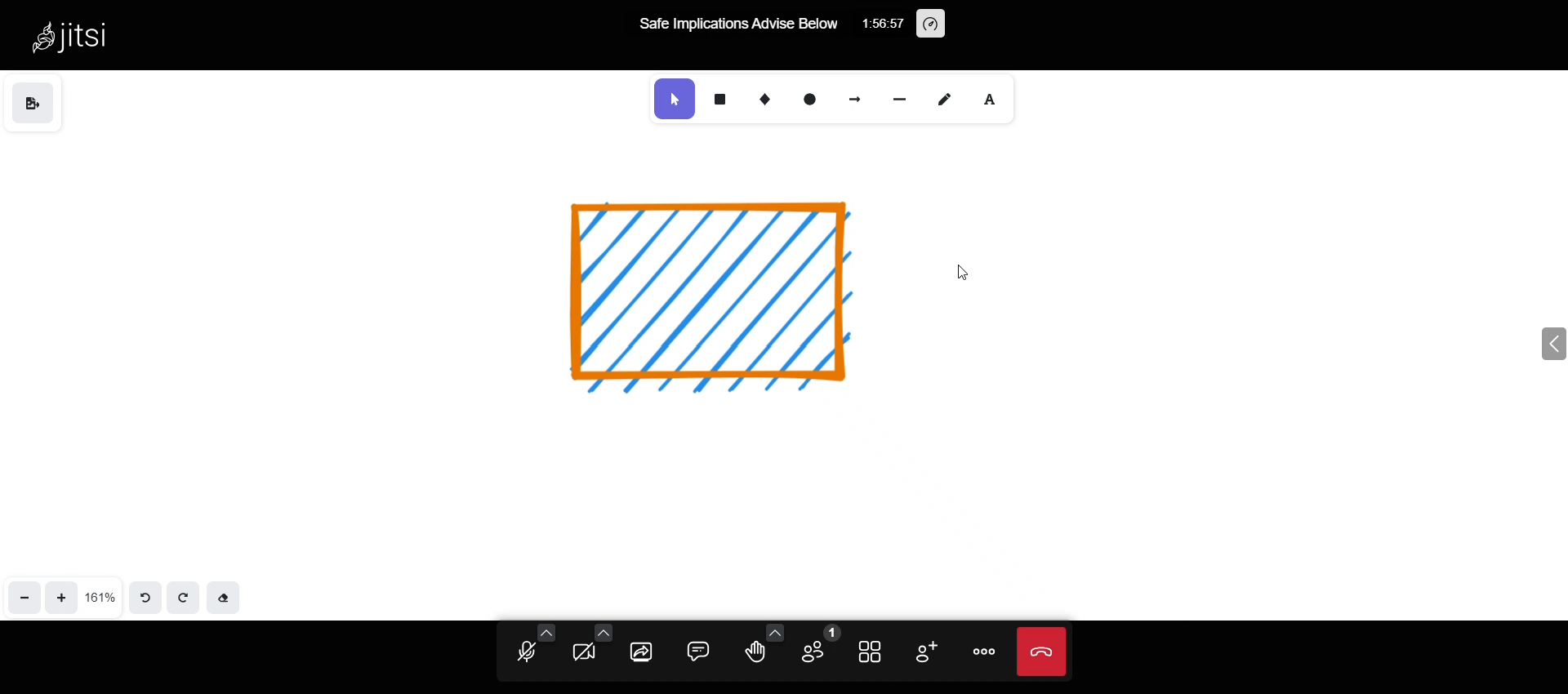  Describe the element at coordinates (638, 653) in the screenshot. I see `share screen` at that location.